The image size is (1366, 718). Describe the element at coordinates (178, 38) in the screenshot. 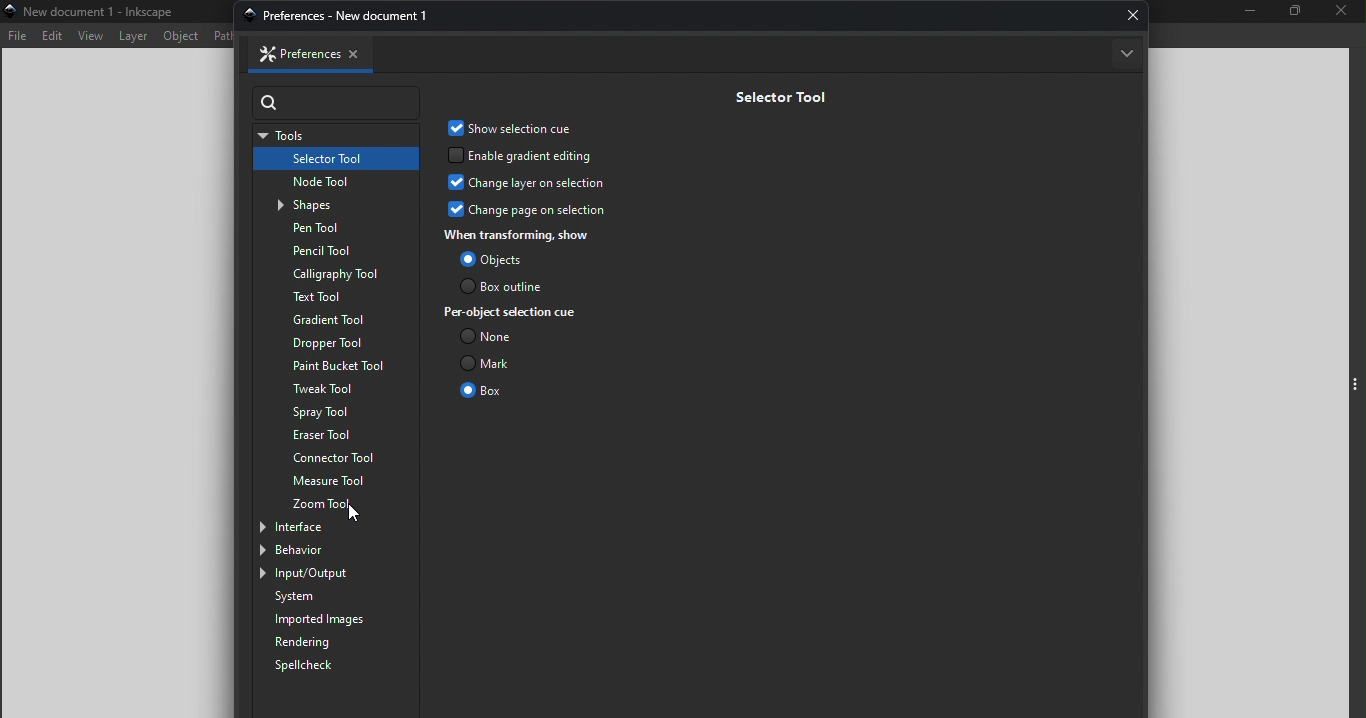

I see `Object` at that location.